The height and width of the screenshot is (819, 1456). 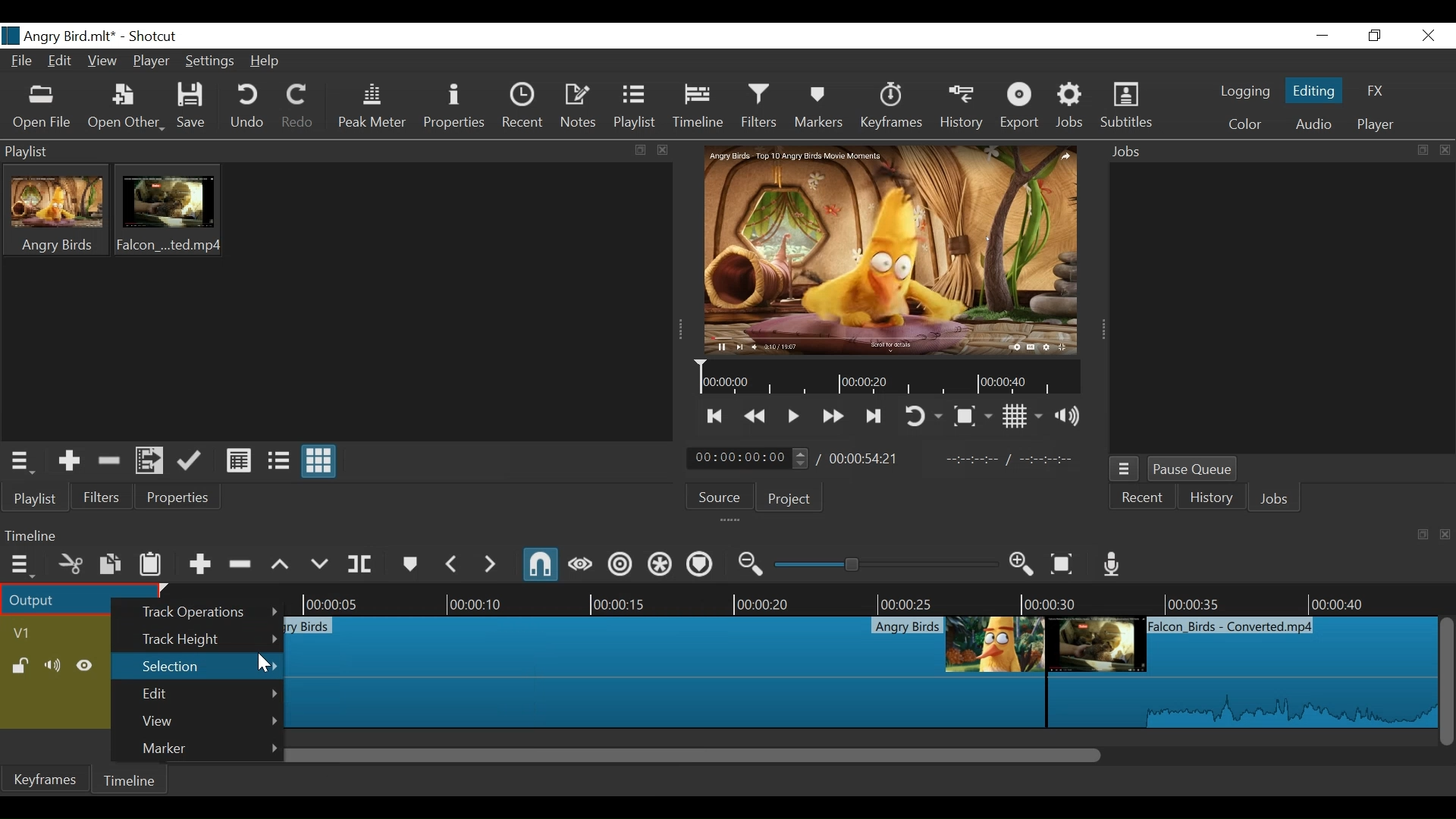 I want to click on Selection, so click(x=197, y=665).